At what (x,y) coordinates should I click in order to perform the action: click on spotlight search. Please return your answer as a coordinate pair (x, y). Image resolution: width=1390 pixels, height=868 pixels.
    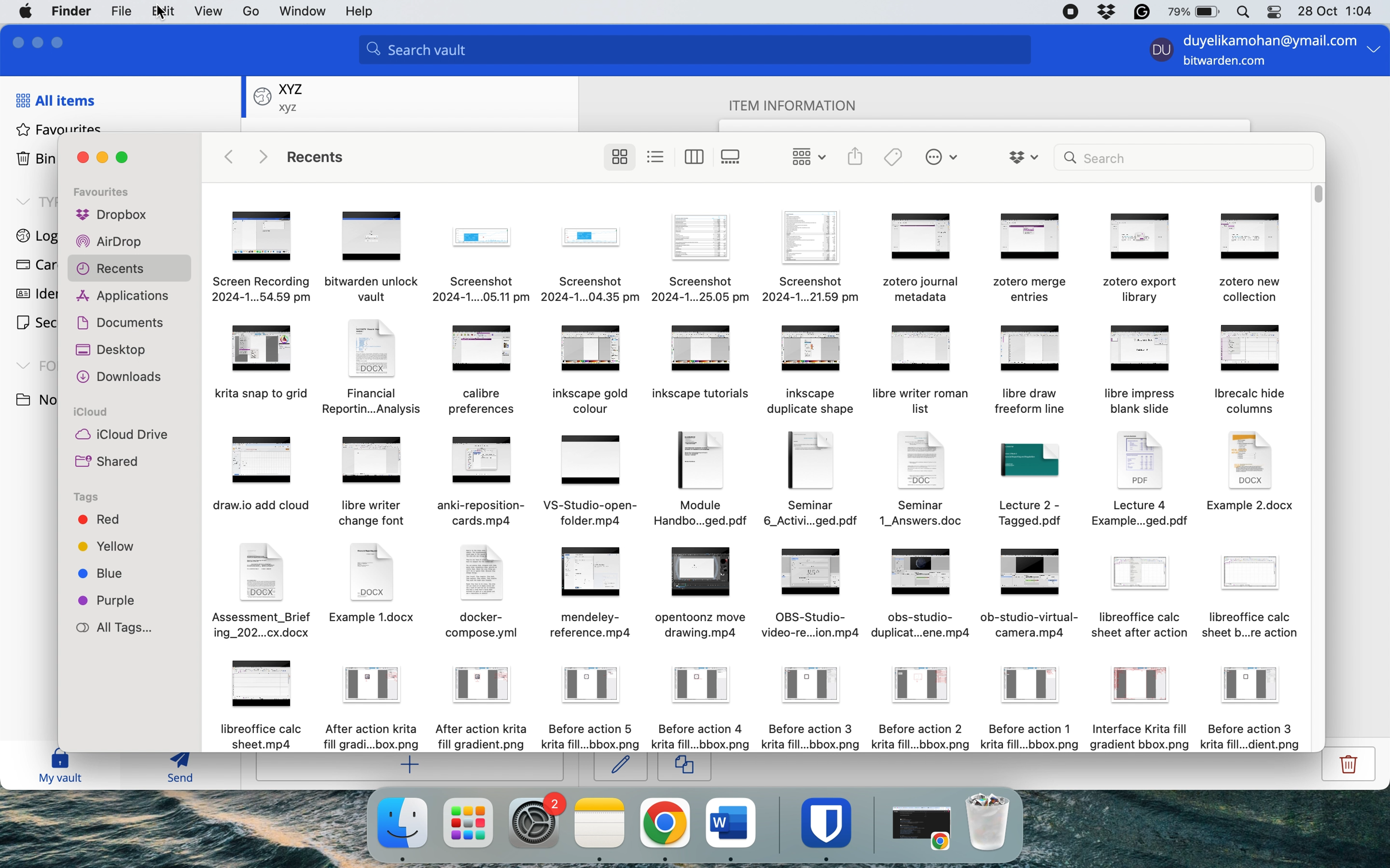
    Looking at the image, I should click on (1241, 13).